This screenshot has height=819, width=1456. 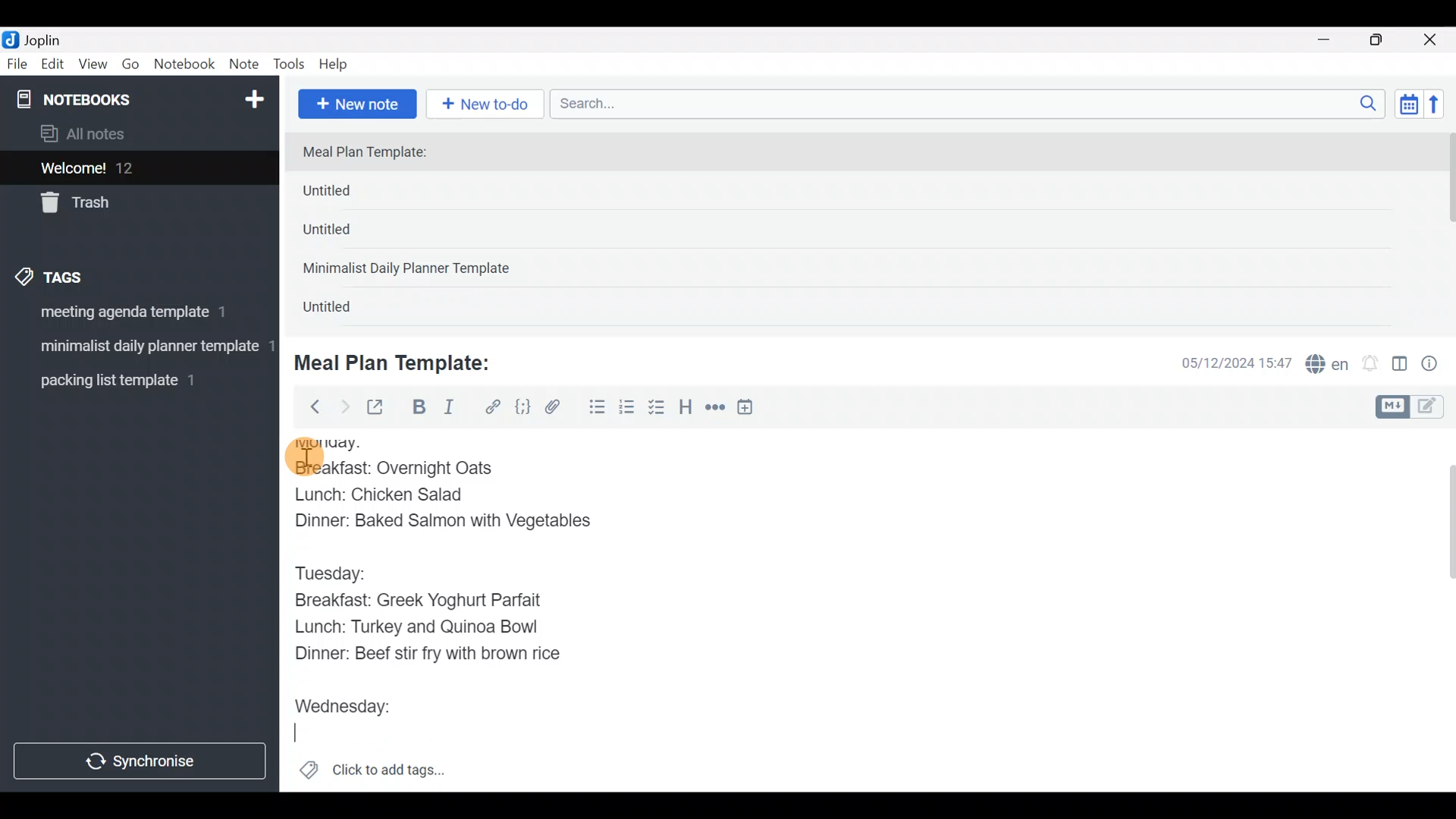 I want to click on Reverse sort, so click(x=1442, y=108).